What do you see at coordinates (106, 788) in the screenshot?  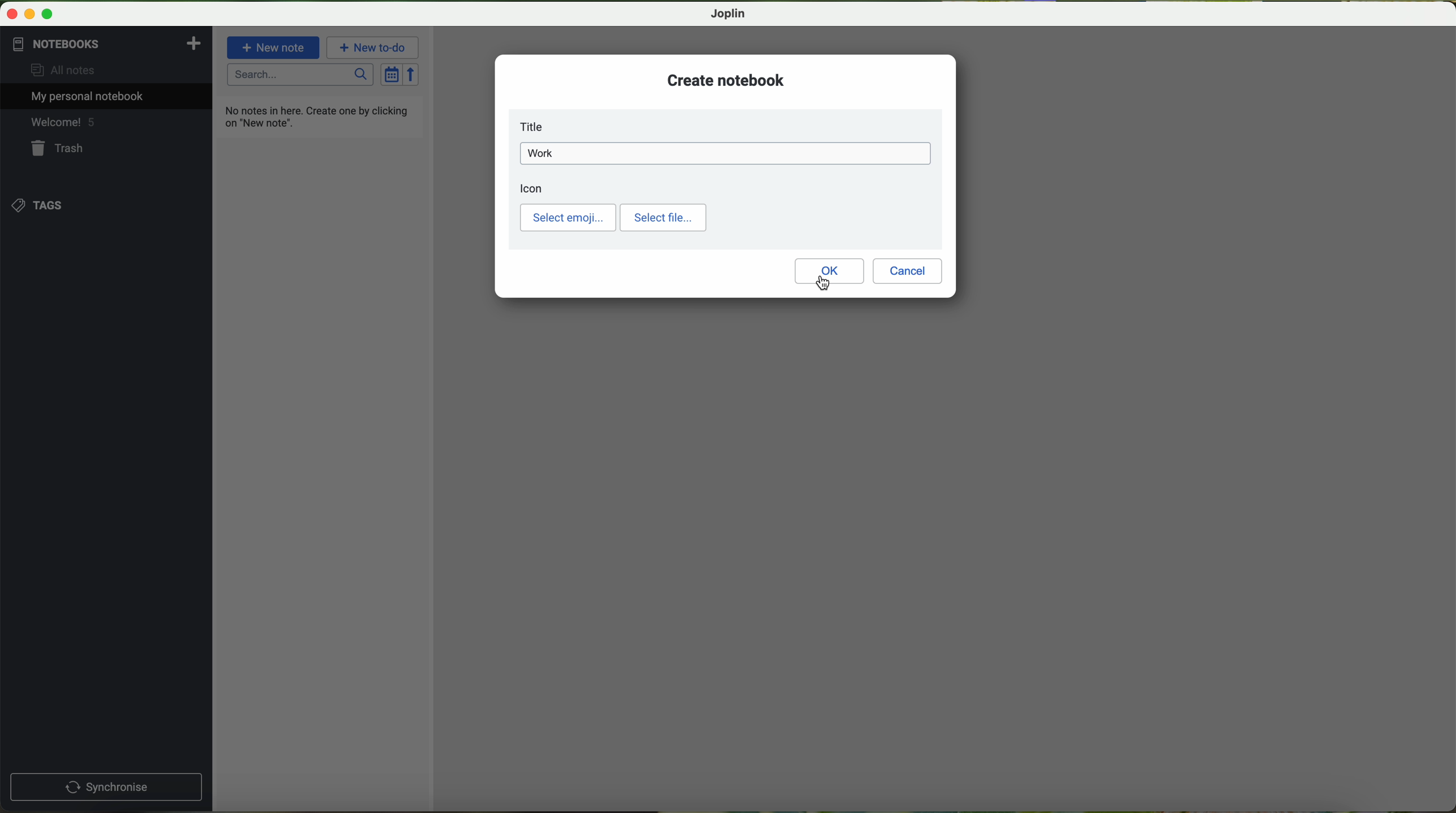 I see `synchronise button` at bounding box center [106, 788].